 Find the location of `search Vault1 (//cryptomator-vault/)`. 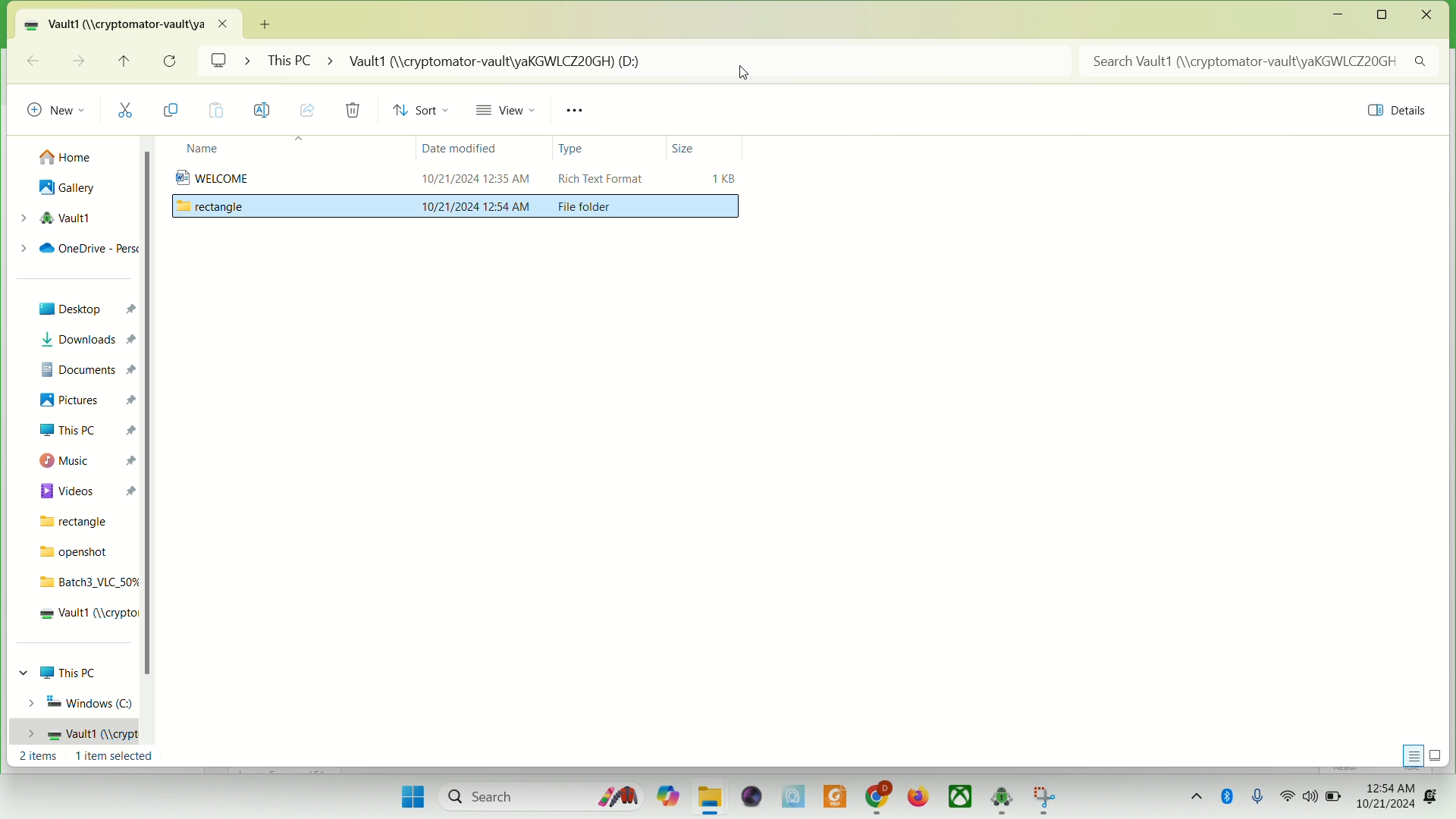

search Vault1 (//cryptomator-vault/) is located at coordinates (1263, 61).